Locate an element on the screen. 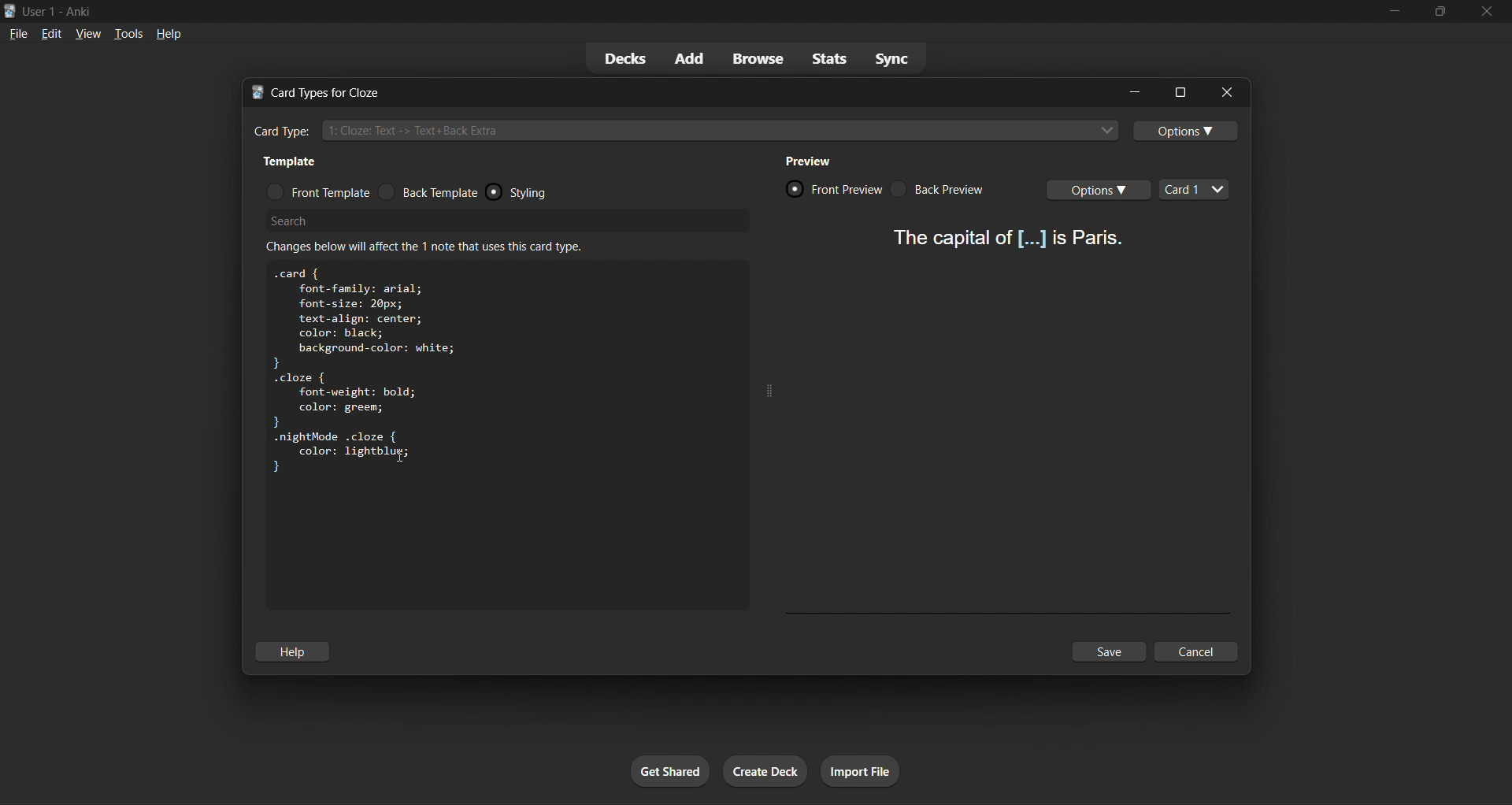 This screenshot has height=805, width=1512. help is located at coordinates (173, 33).